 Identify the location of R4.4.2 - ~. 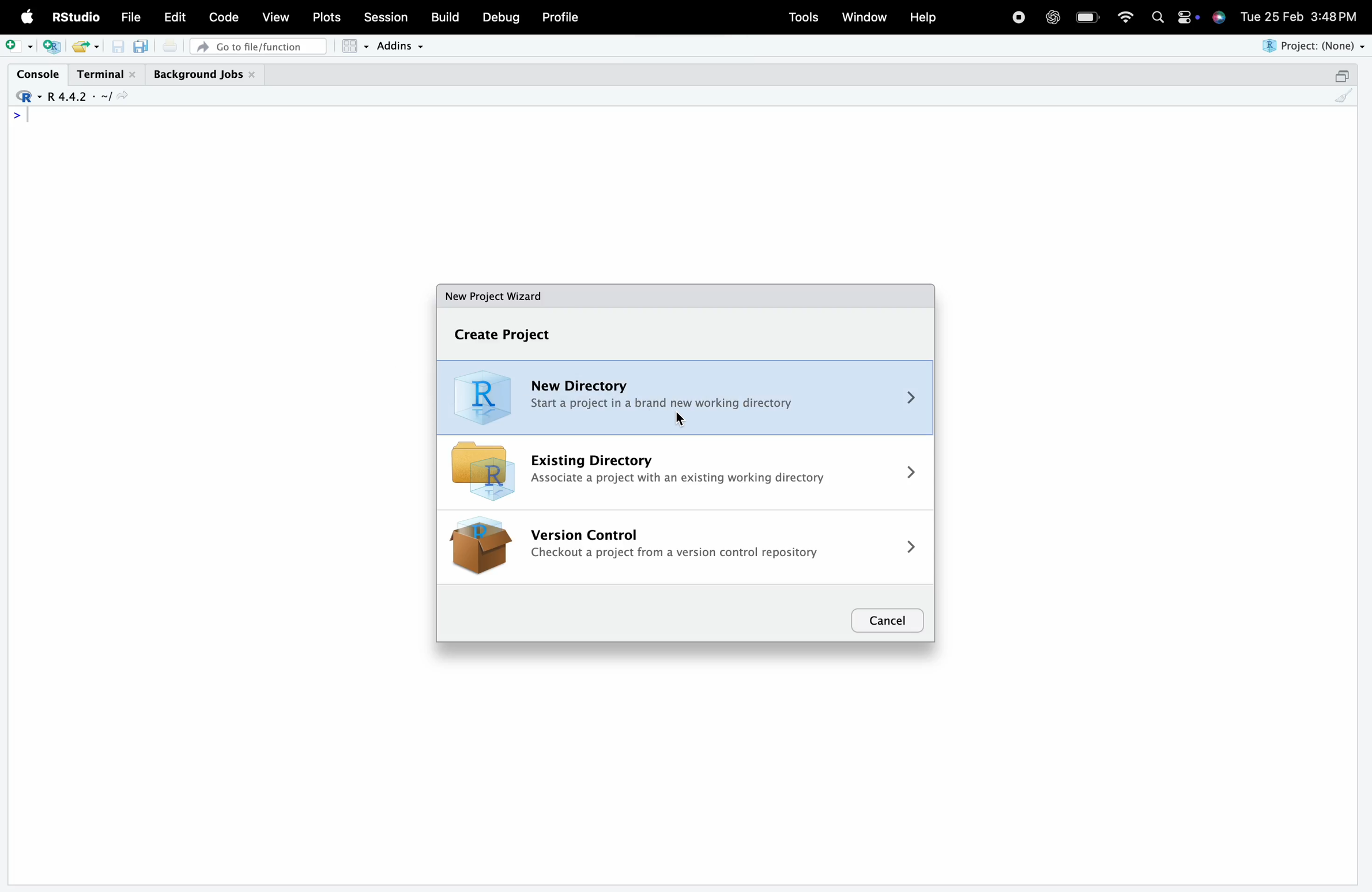
(77, 97).